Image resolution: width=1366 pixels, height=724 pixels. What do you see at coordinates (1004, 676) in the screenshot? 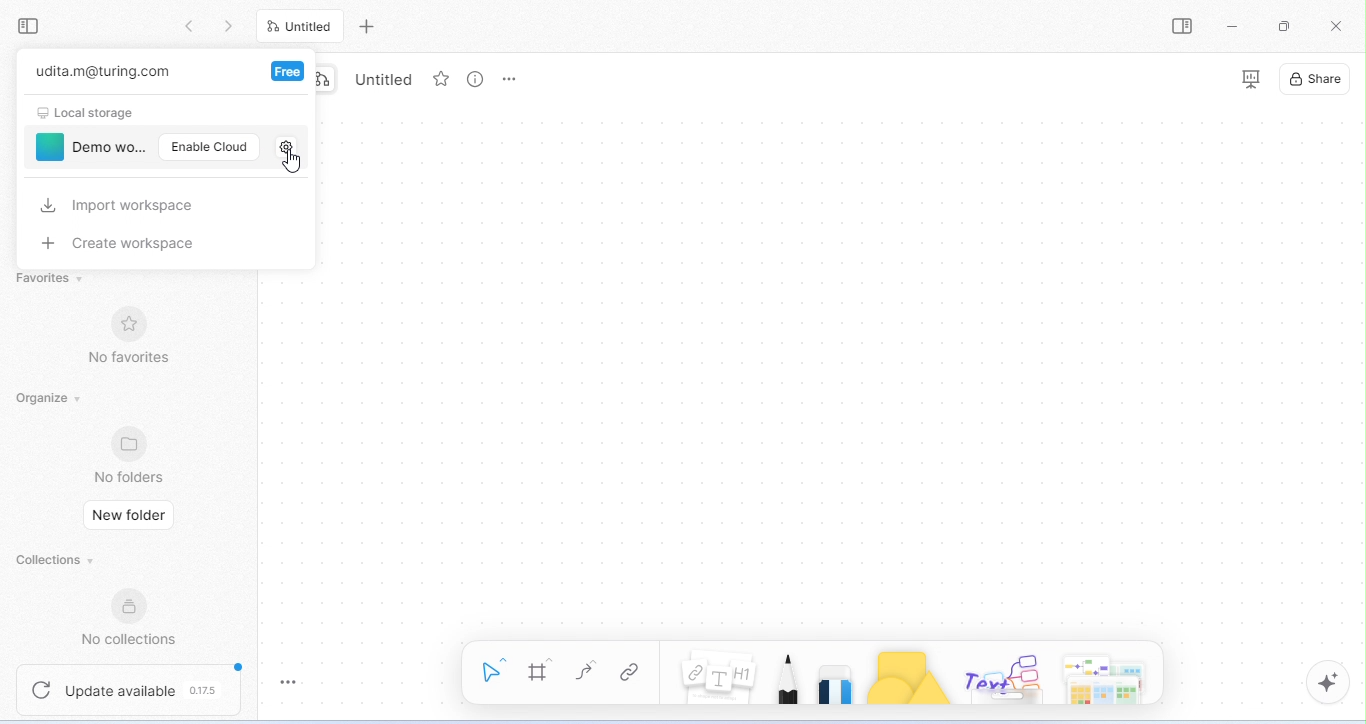
I see `others` at bounding box center [1004, 676].